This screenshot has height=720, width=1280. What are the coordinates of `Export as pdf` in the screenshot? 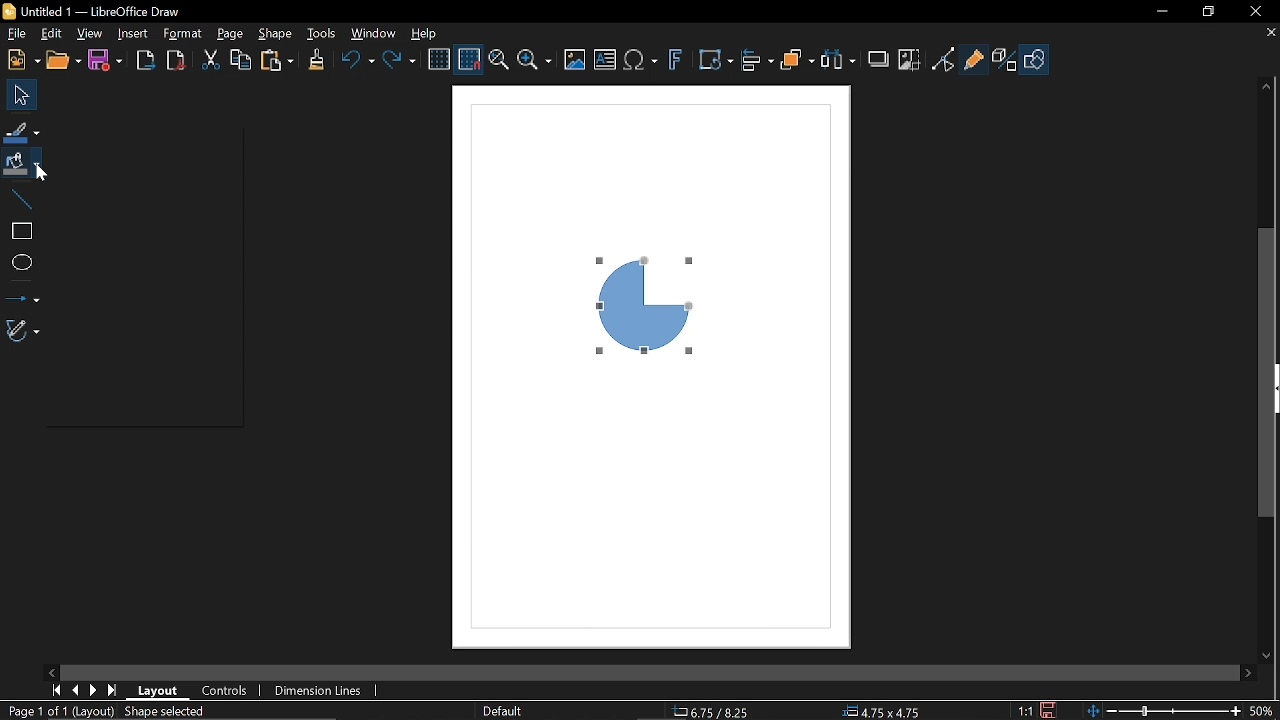 It's located at (175, 58).